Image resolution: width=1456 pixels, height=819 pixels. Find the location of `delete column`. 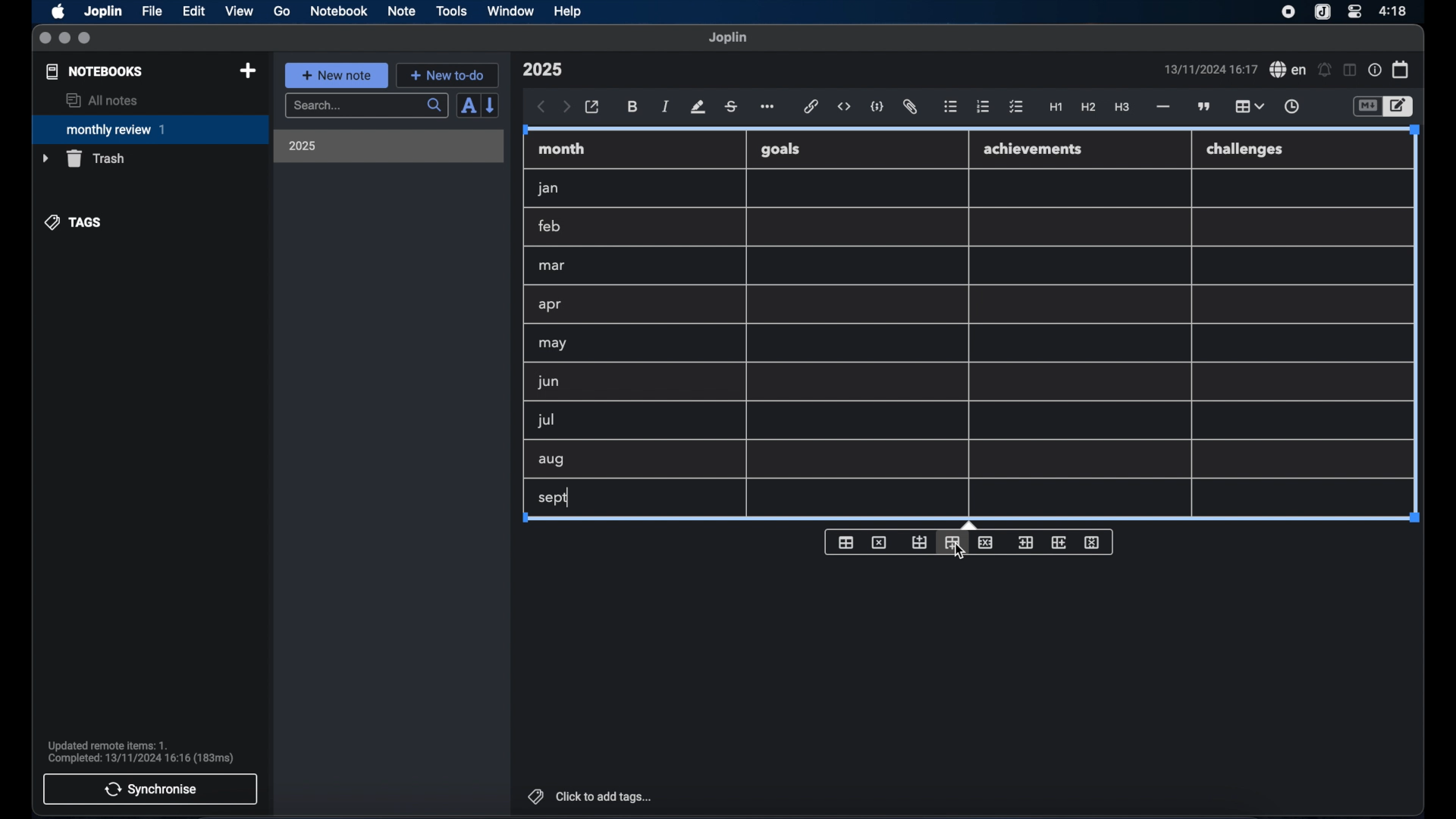

delete column is located at coordinates (1093, 543).